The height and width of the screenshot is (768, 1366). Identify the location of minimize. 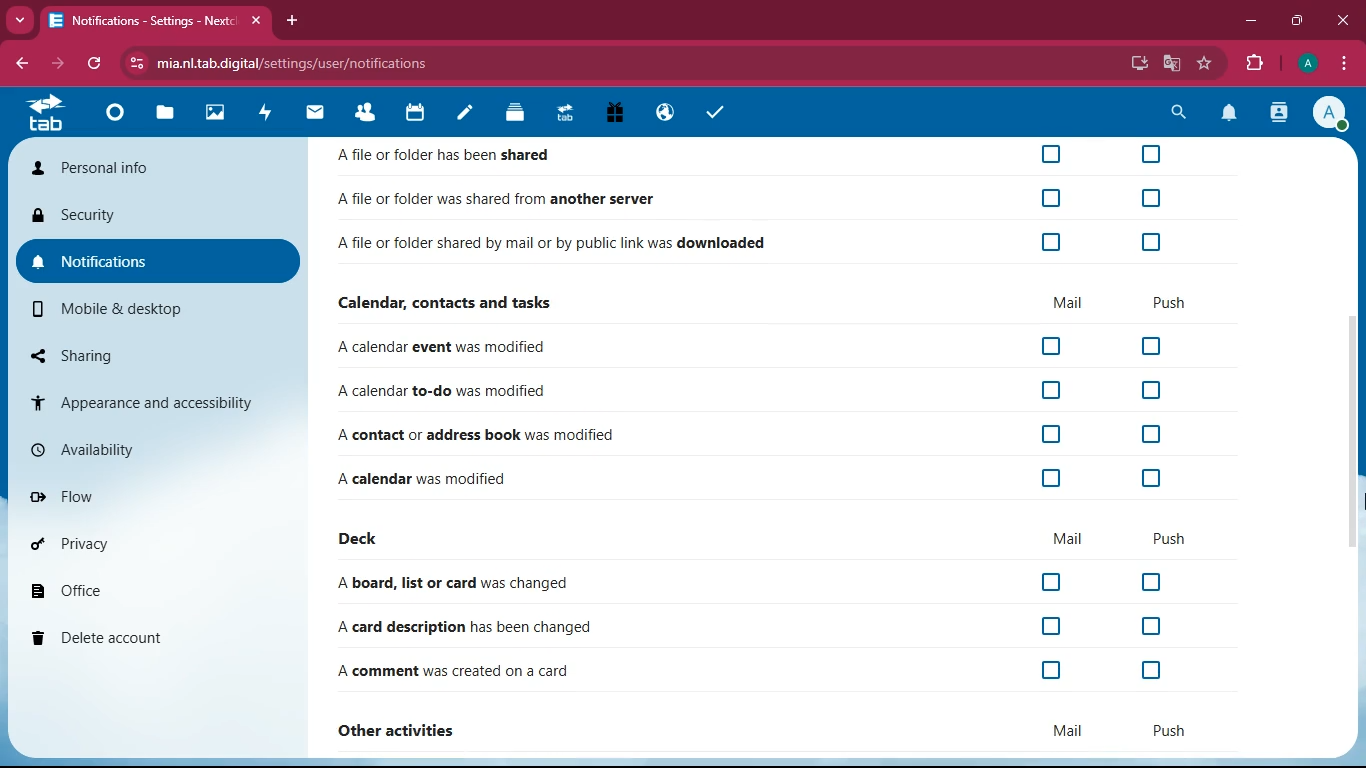
(1251, 22).